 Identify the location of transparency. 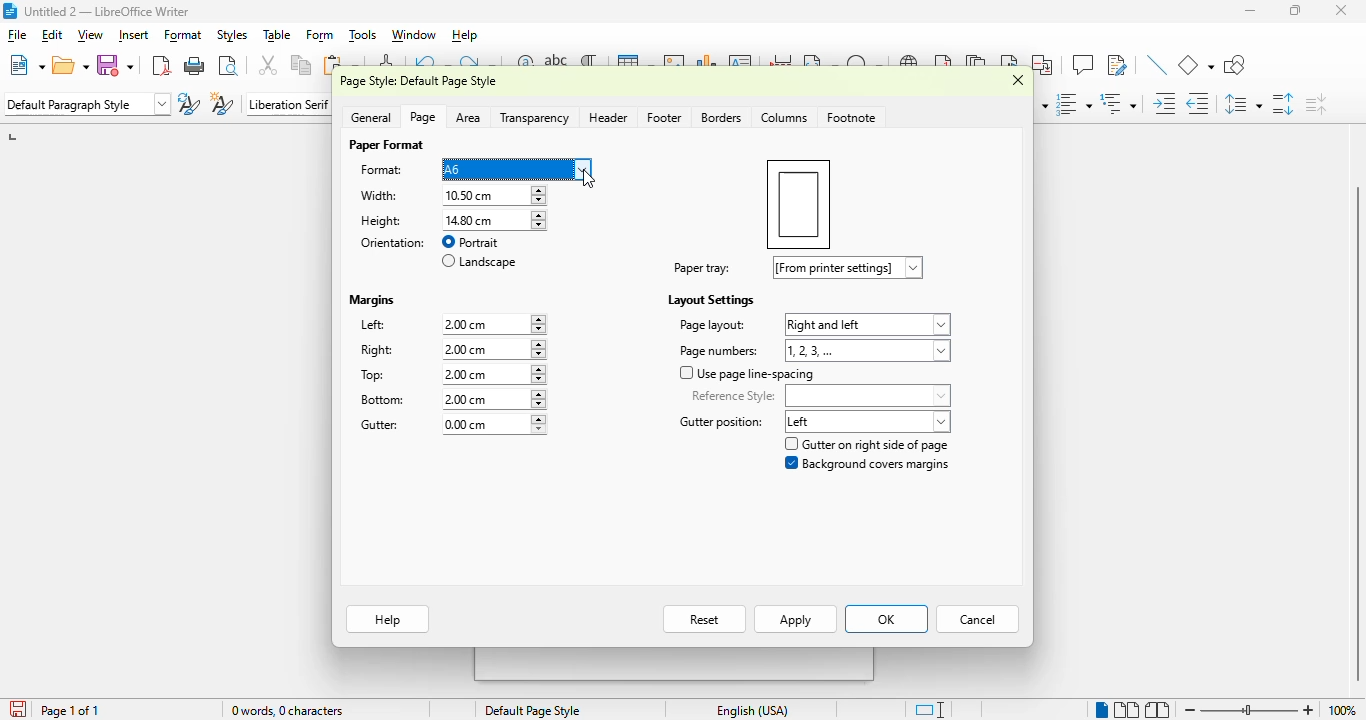
(535, 119).